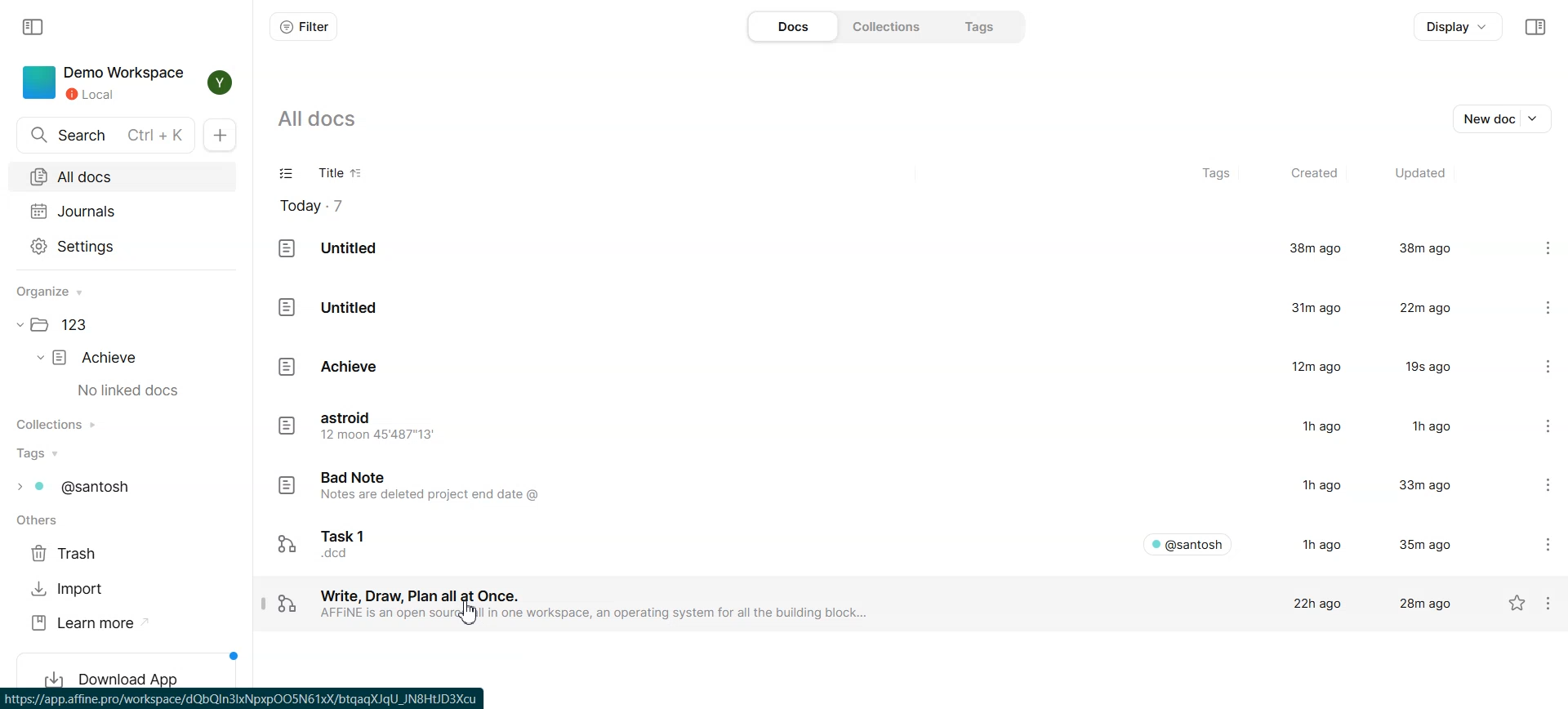 The height and width of the screenshot is (709, 1568). Describe the element at coordinates (1419, 174) in the screenshot. I see `Updated` at that location.